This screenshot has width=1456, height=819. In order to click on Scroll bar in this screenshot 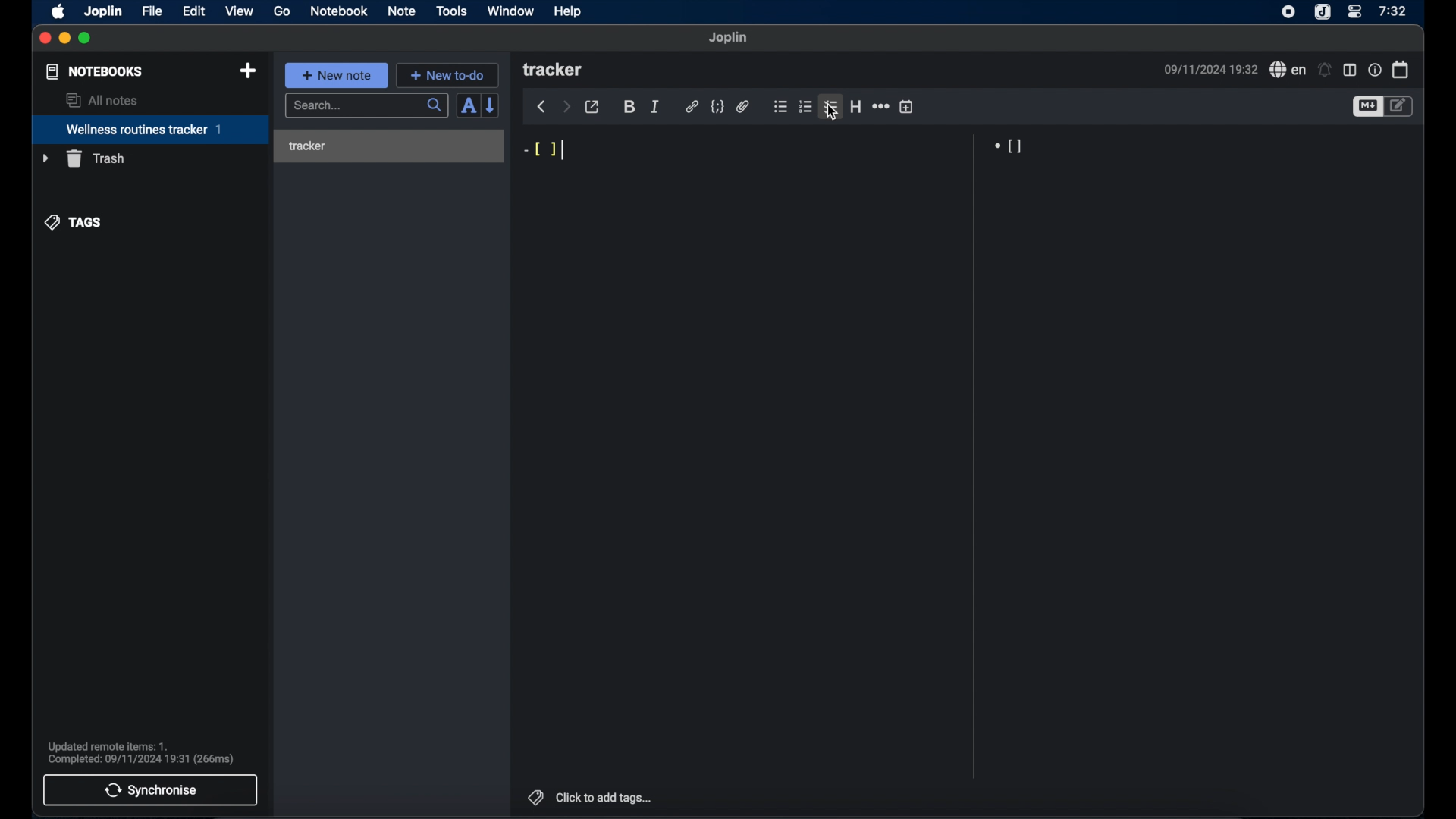, I will do `click(973, 457)`.